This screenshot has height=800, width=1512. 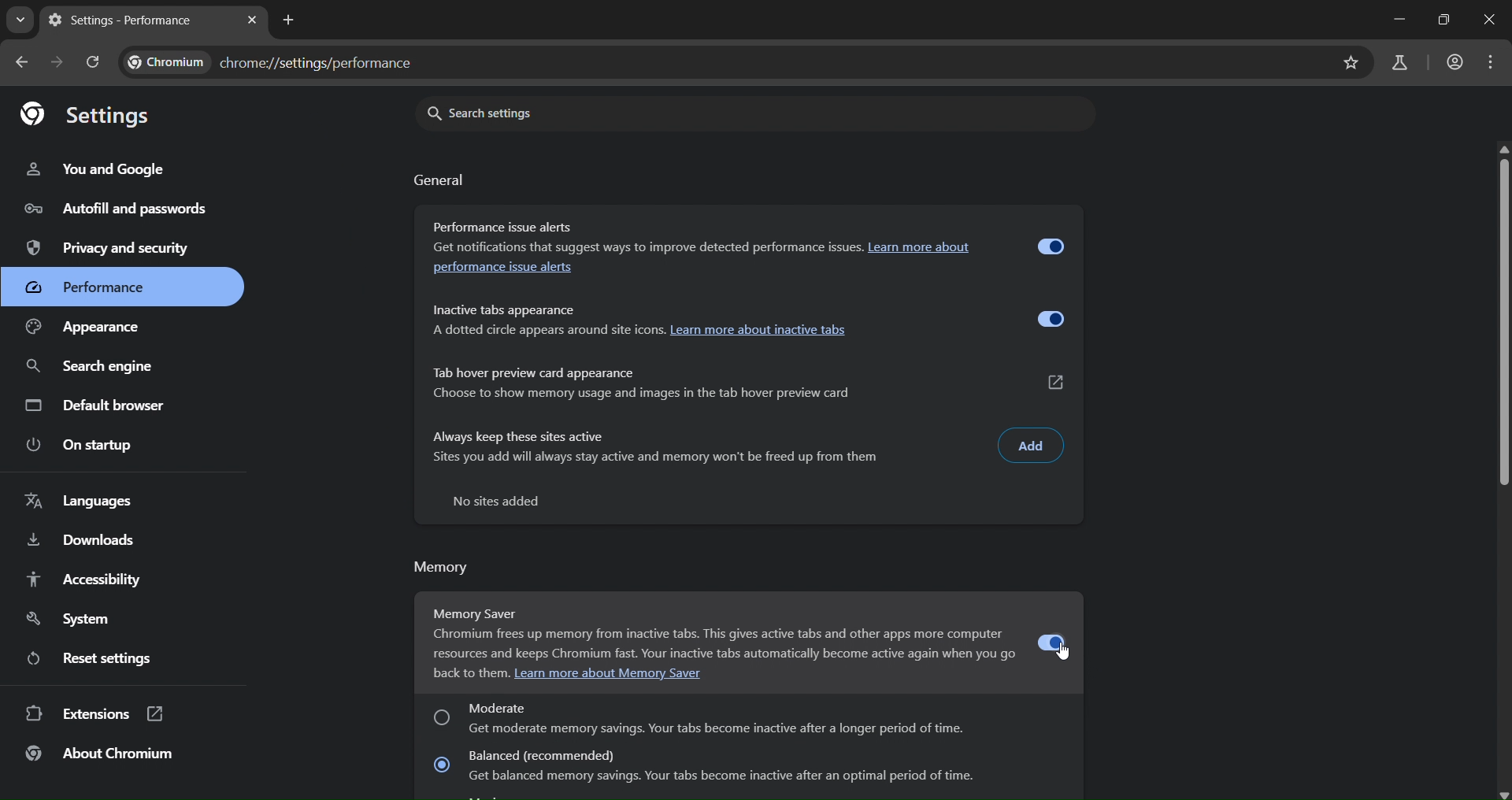 What do you see at coordinates (717, 639) in the screenshot?
I see `Memory Saver Chrome frees up memory from inactive tabs. This gives active tabs and other apps more computer resources and keeps Chrome fast. Your inactive tabs automatically become active again when you go back to them. Learn more` at bounding box center [717, 639].